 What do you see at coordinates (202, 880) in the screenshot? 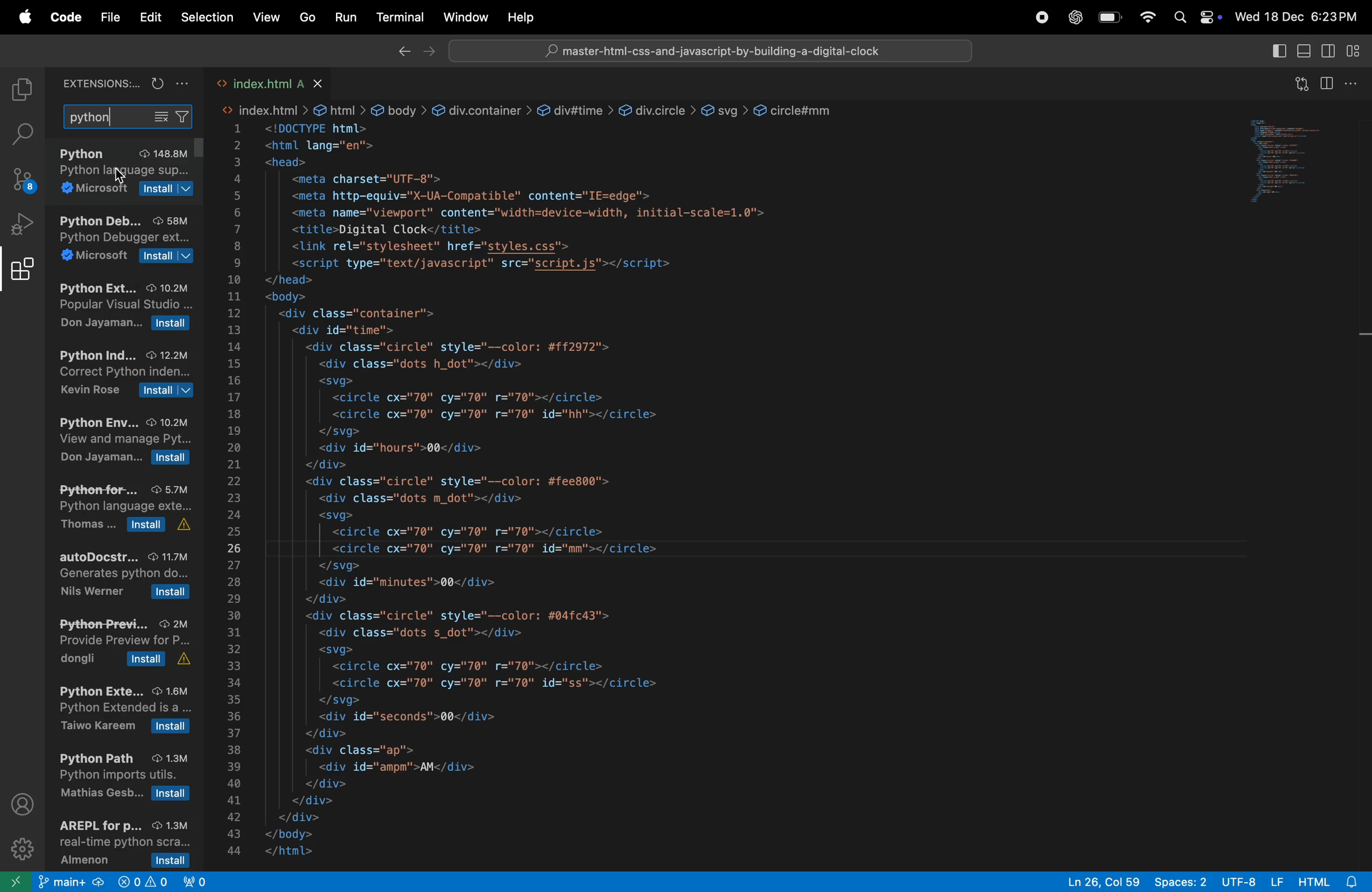
I see `view port ` at bounding box center [202, 880].